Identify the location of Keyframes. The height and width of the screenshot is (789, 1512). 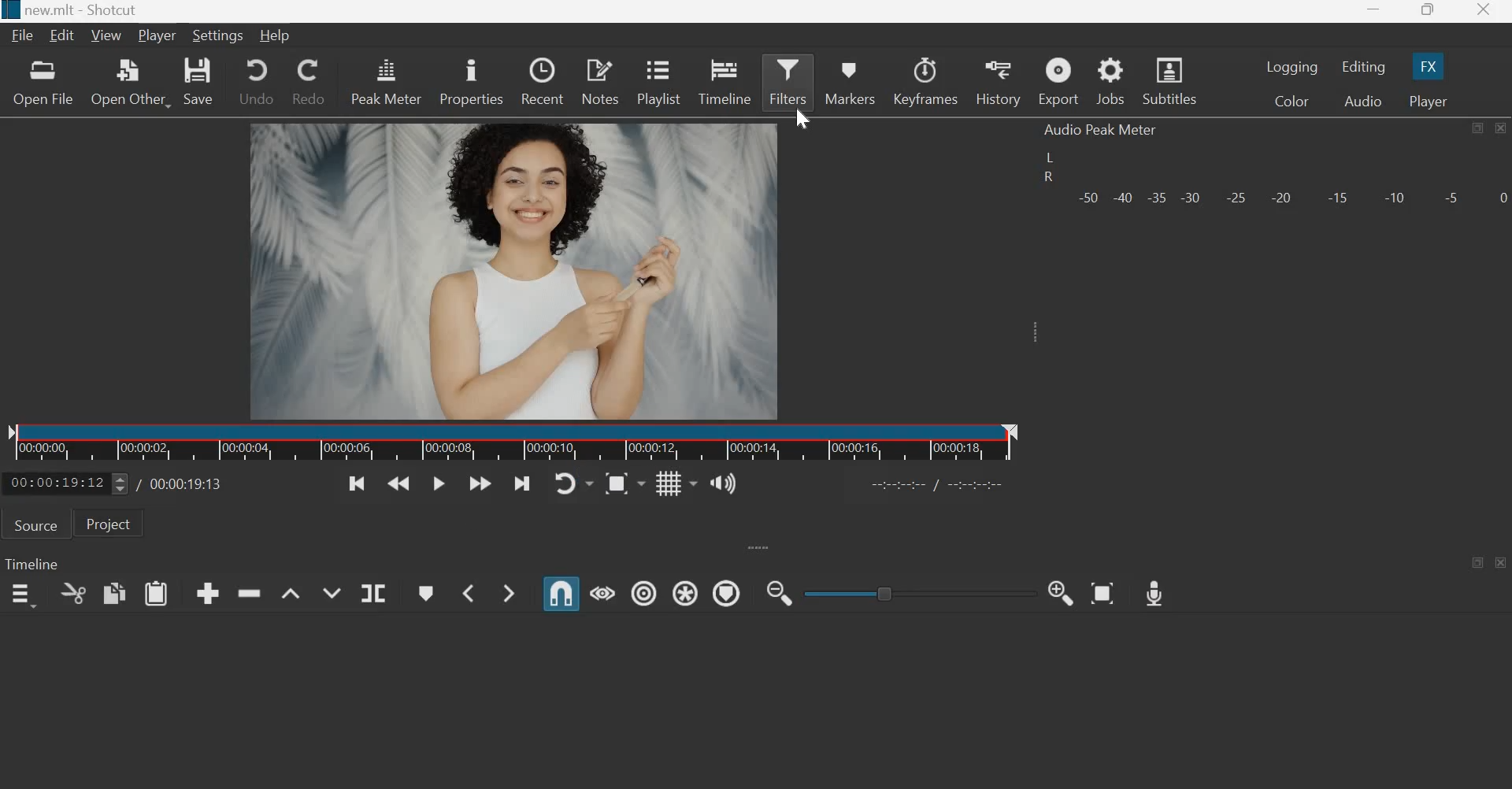
(926, 81).